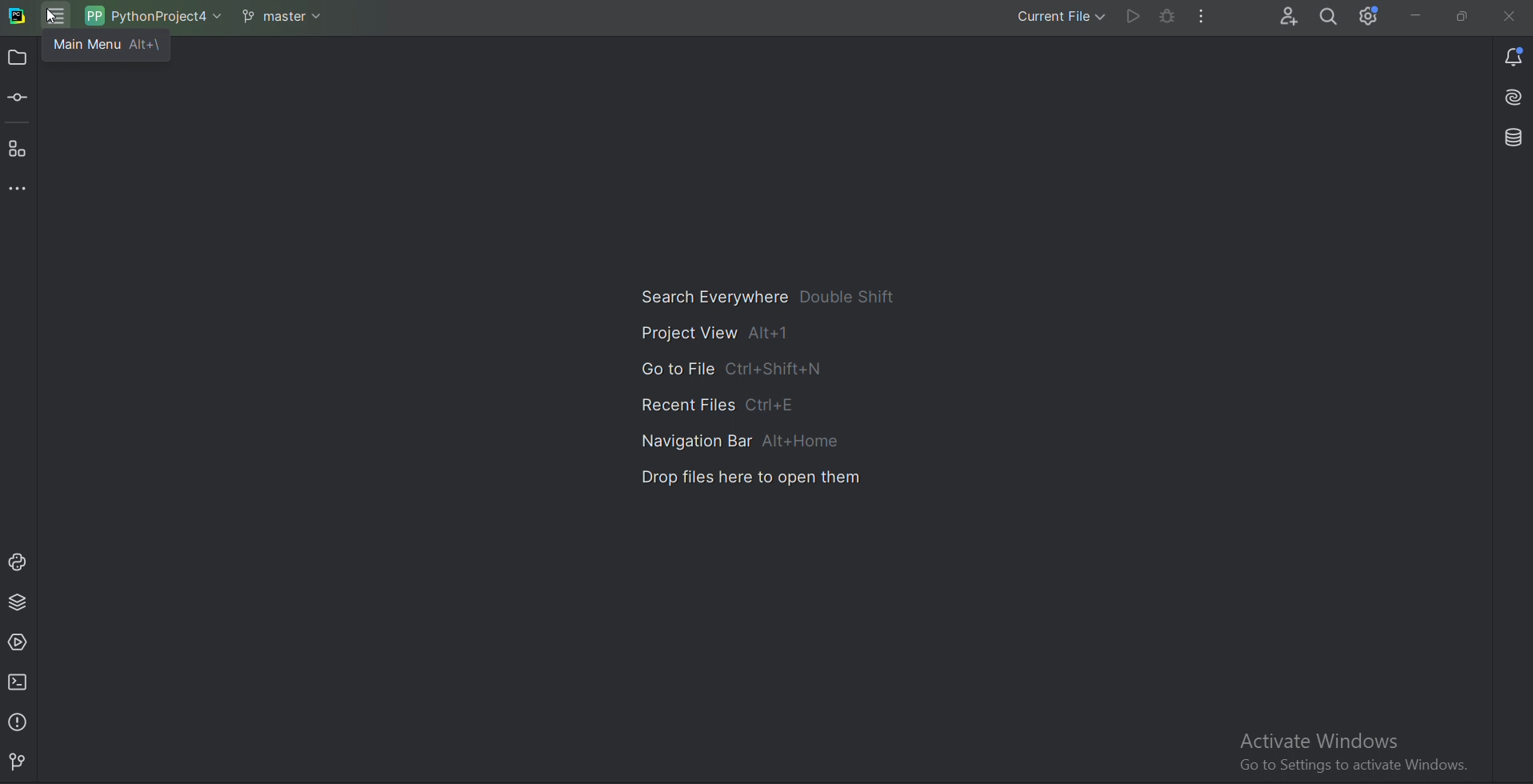 Image resolution: width=1533 pixels, height=784 pixels. What do you see at coordinates (20, 642) in the screenshot?
I see `Services` at bounding box center [20, 642].